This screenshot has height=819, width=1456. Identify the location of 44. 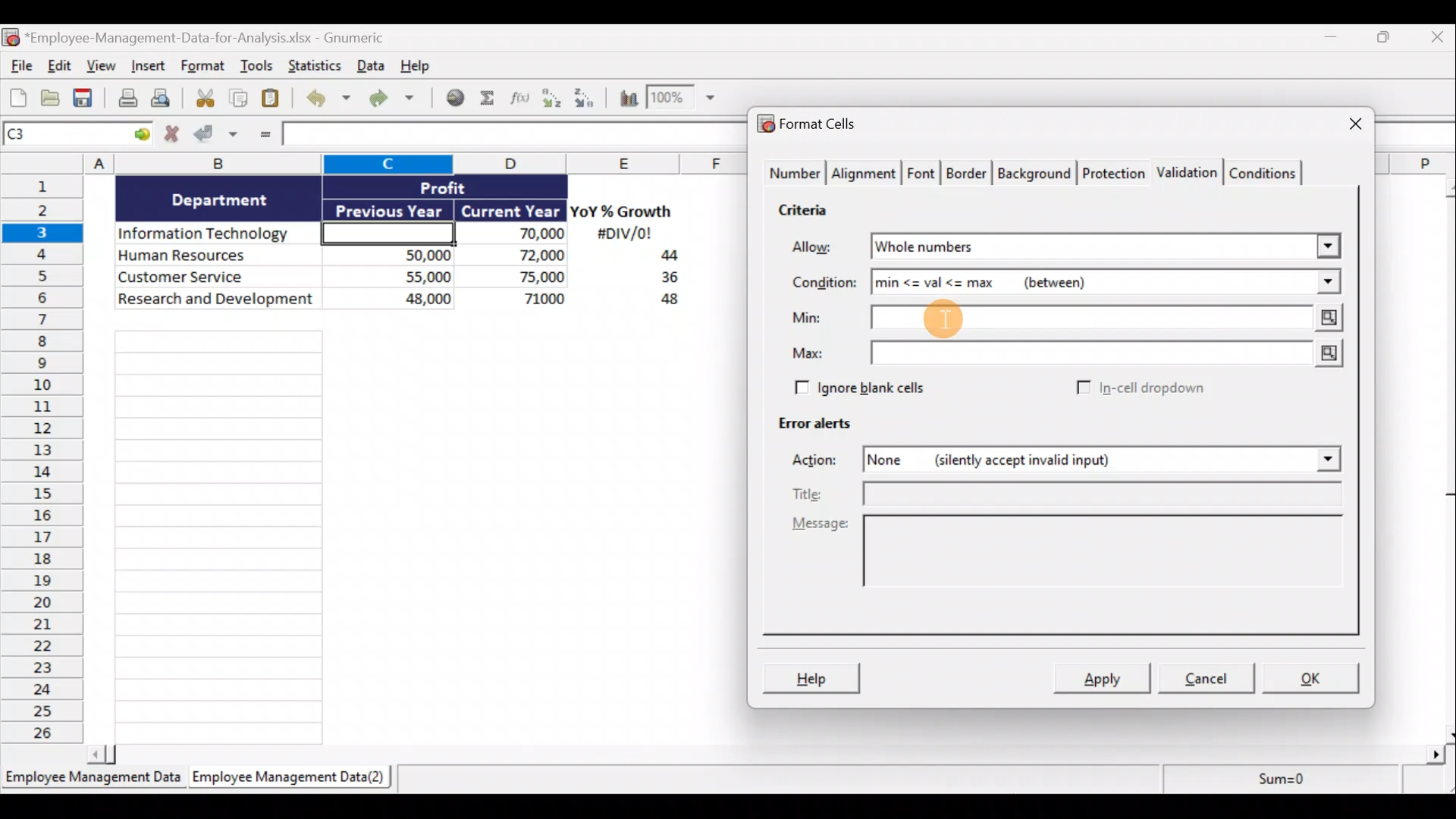
(661, 257).